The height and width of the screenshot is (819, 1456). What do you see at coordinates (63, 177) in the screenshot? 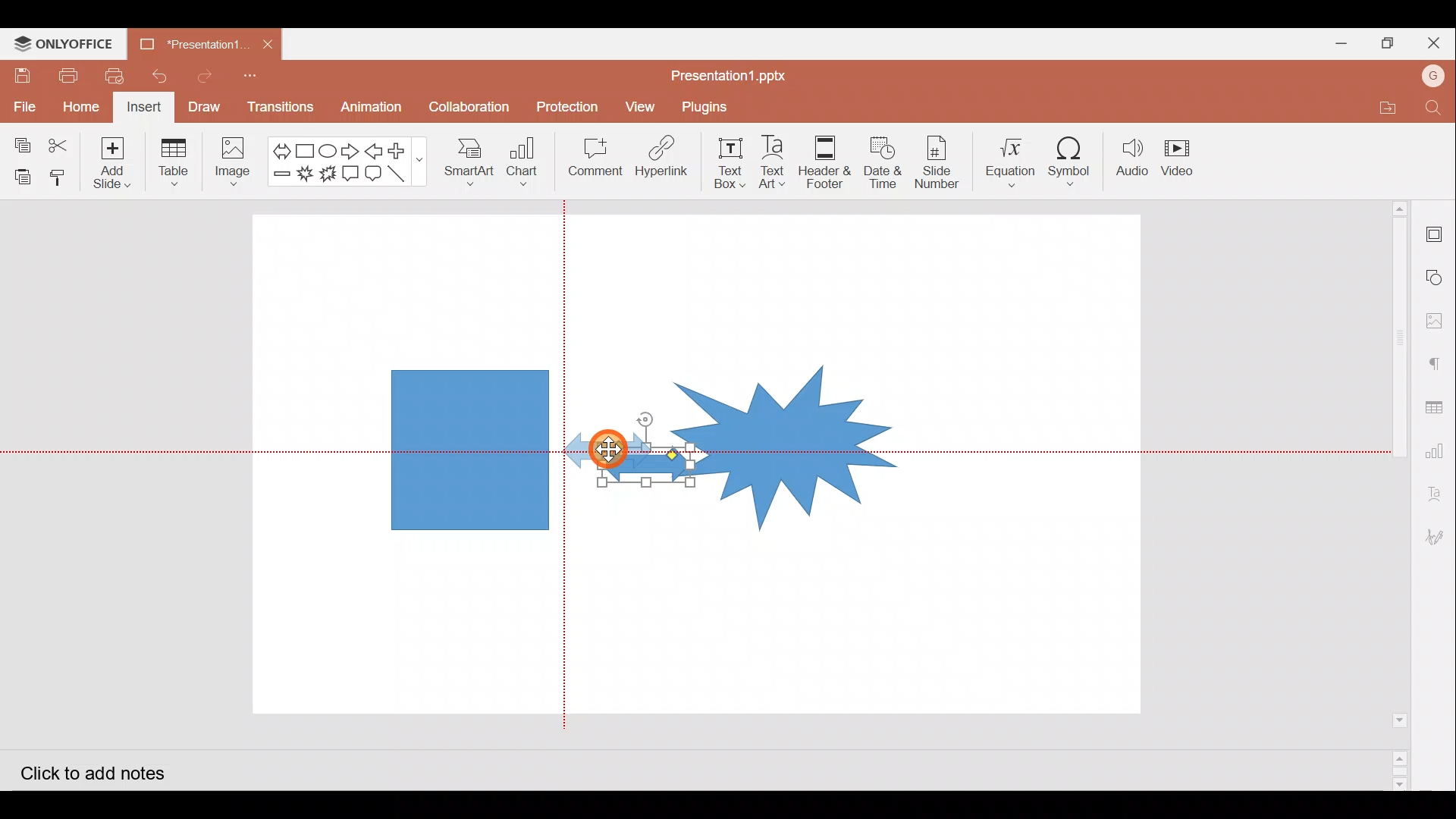
I see `Copy style` at bounding box center [63, 177].